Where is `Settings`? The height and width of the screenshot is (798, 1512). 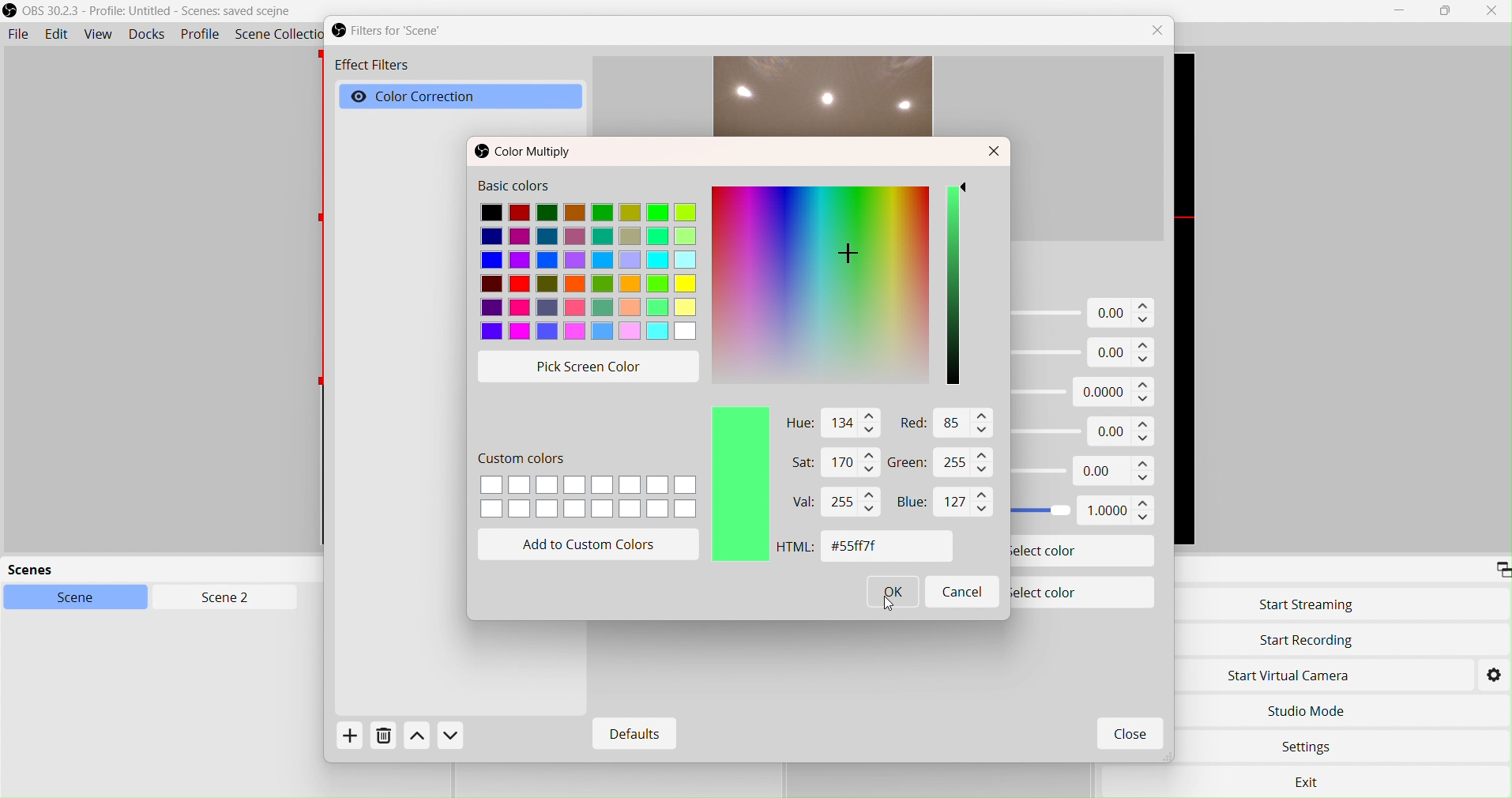 Settings is located at coordinates (1310, 749).